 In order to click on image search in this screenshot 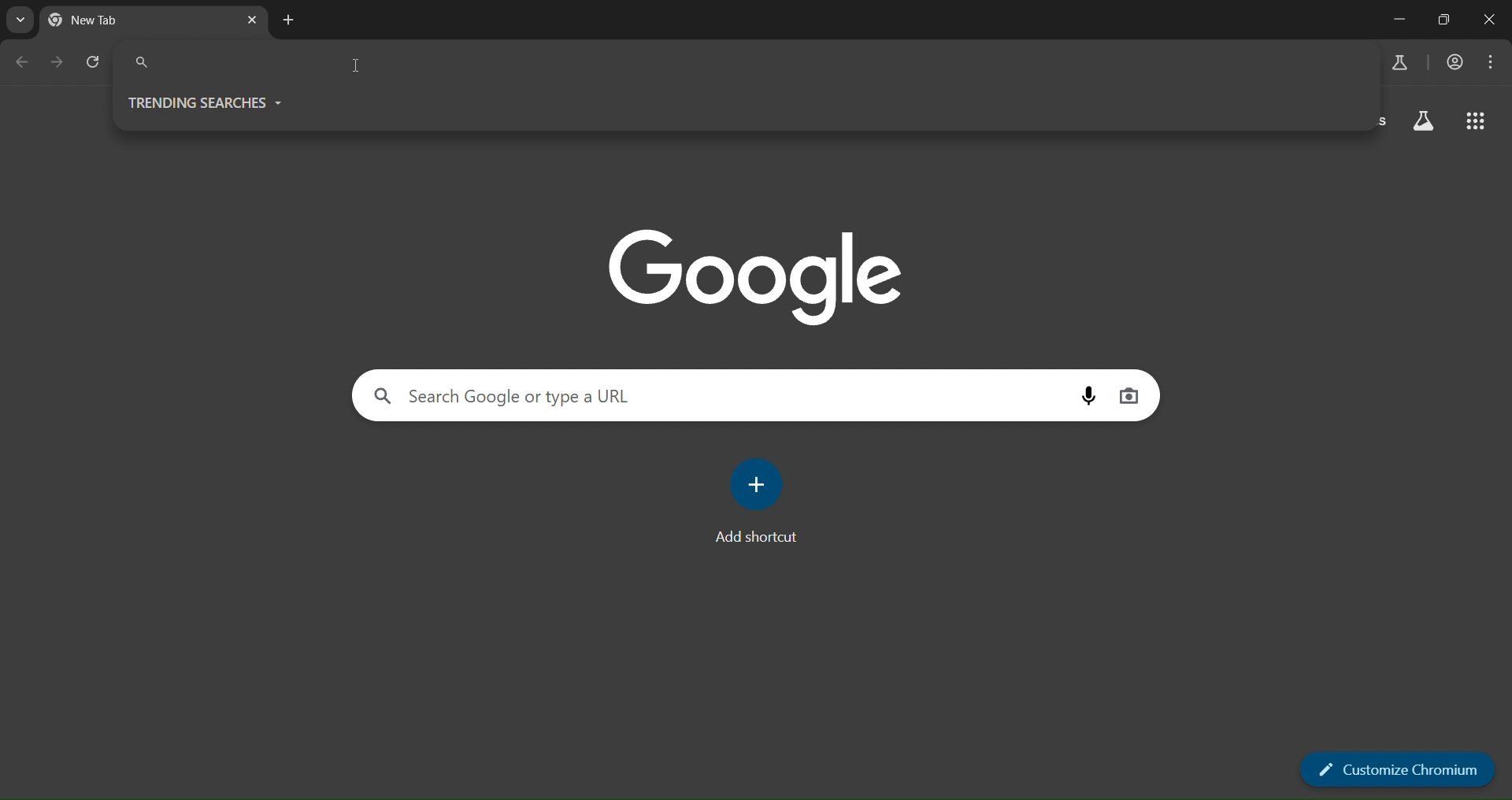, I will do `click(1133, 395)`.